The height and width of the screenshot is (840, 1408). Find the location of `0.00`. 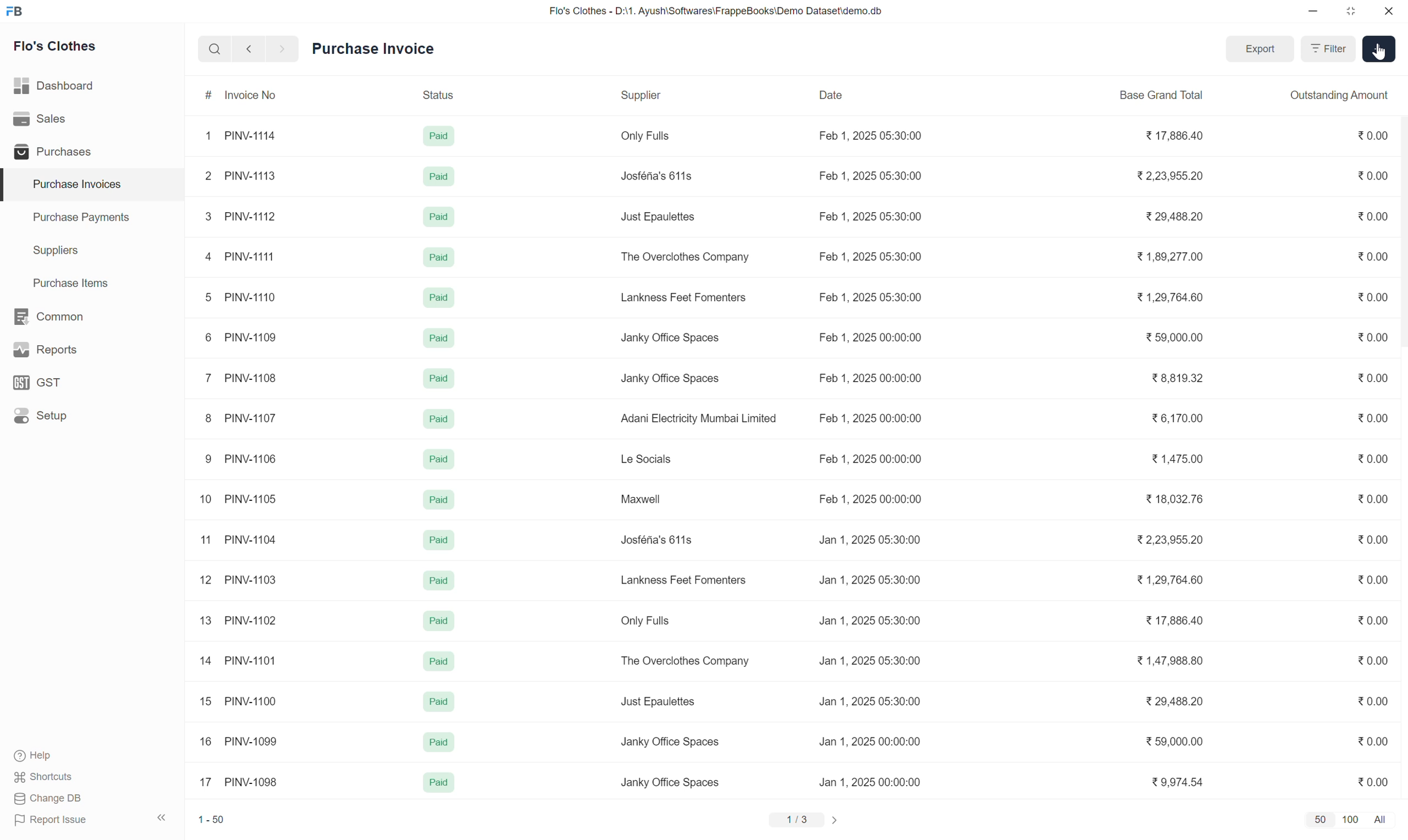

0.00 is located at coordinates (1373, 296).